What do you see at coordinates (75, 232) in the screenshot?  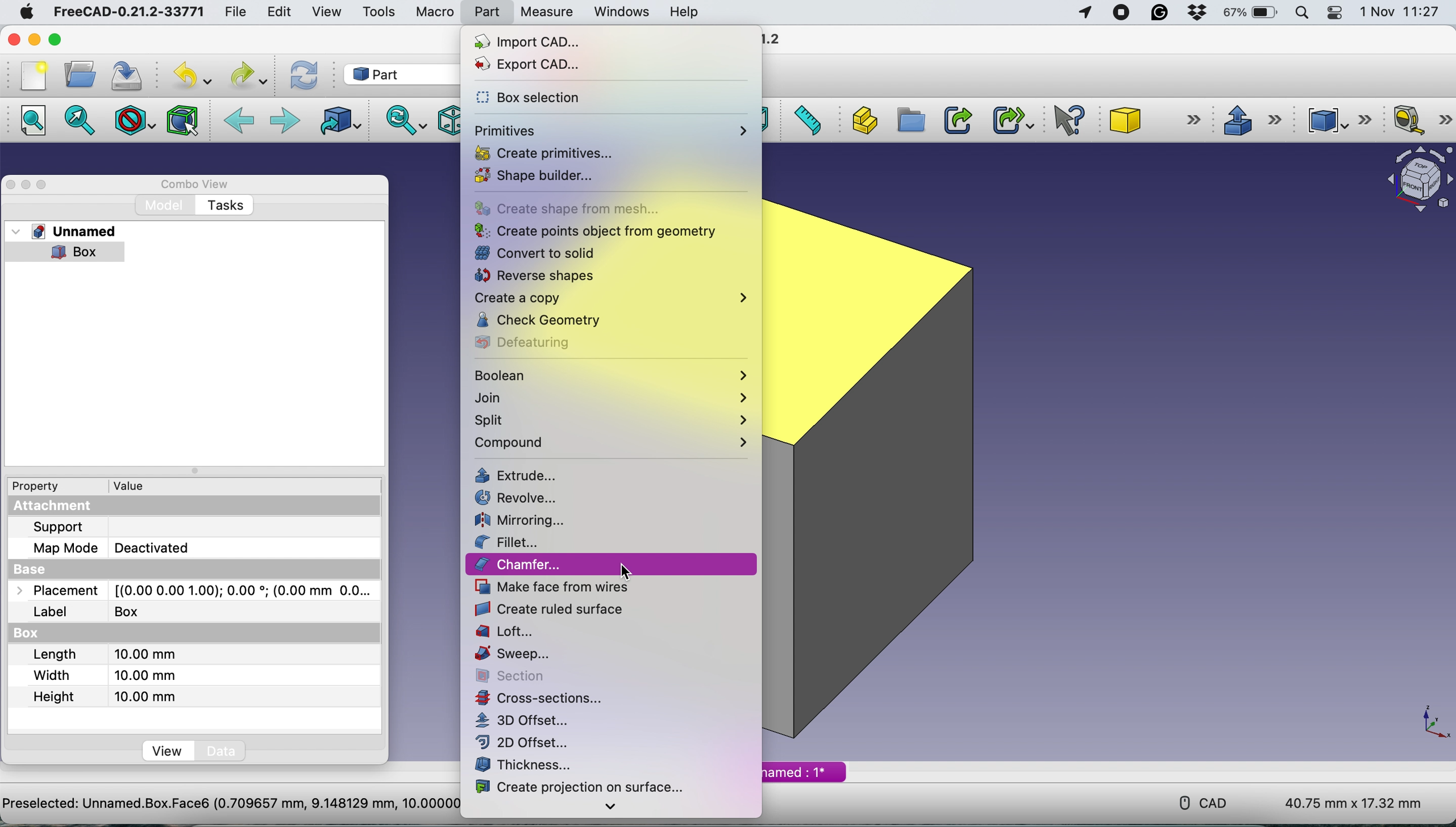 I see `unnamed` at bounding box center [75, 232].